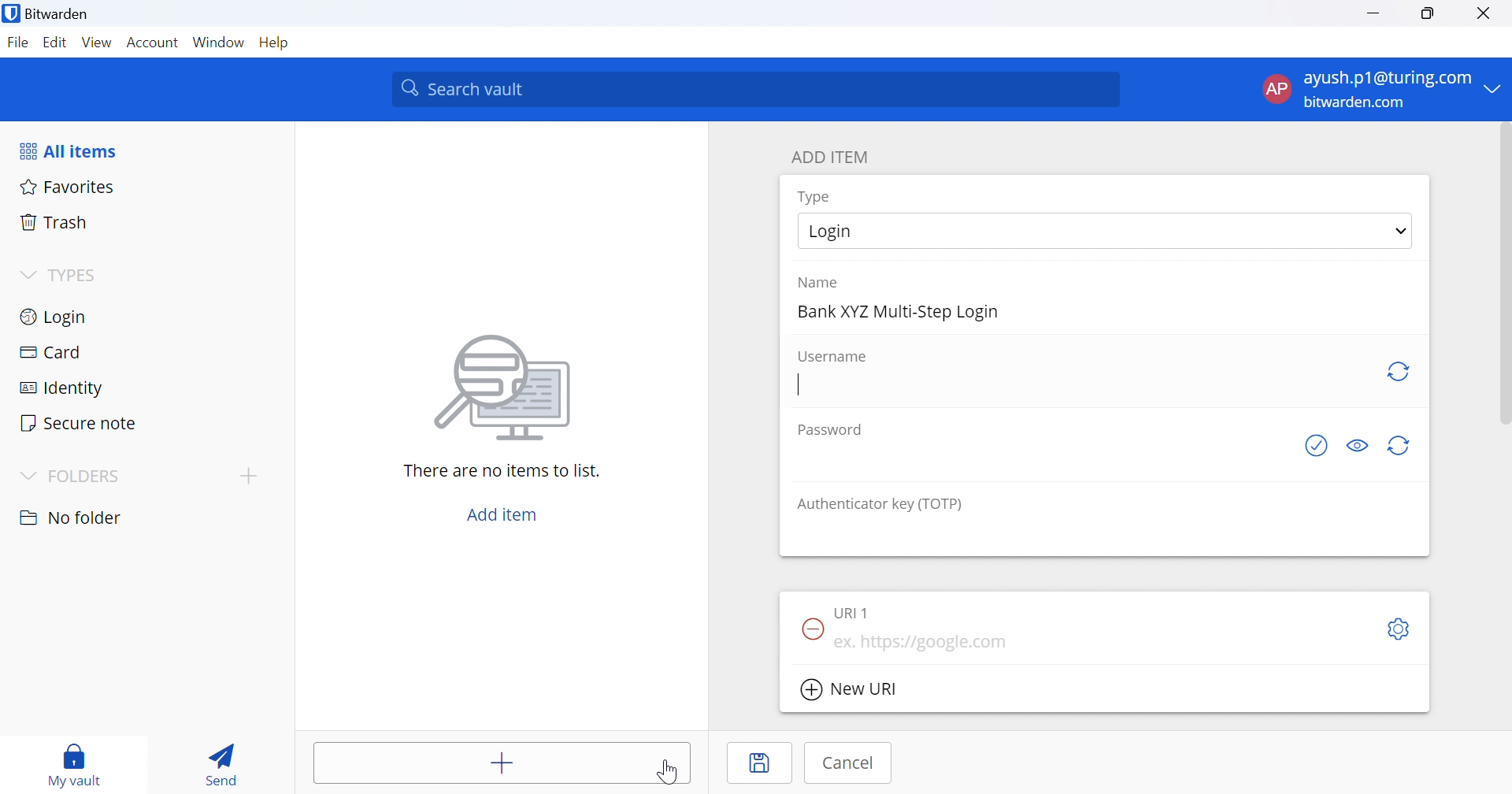 This screenshot has width=1512, height=794. What do you see at coordinates (275, 44) in the screenshot?
I see `Help` at bounding box center [275, 44].